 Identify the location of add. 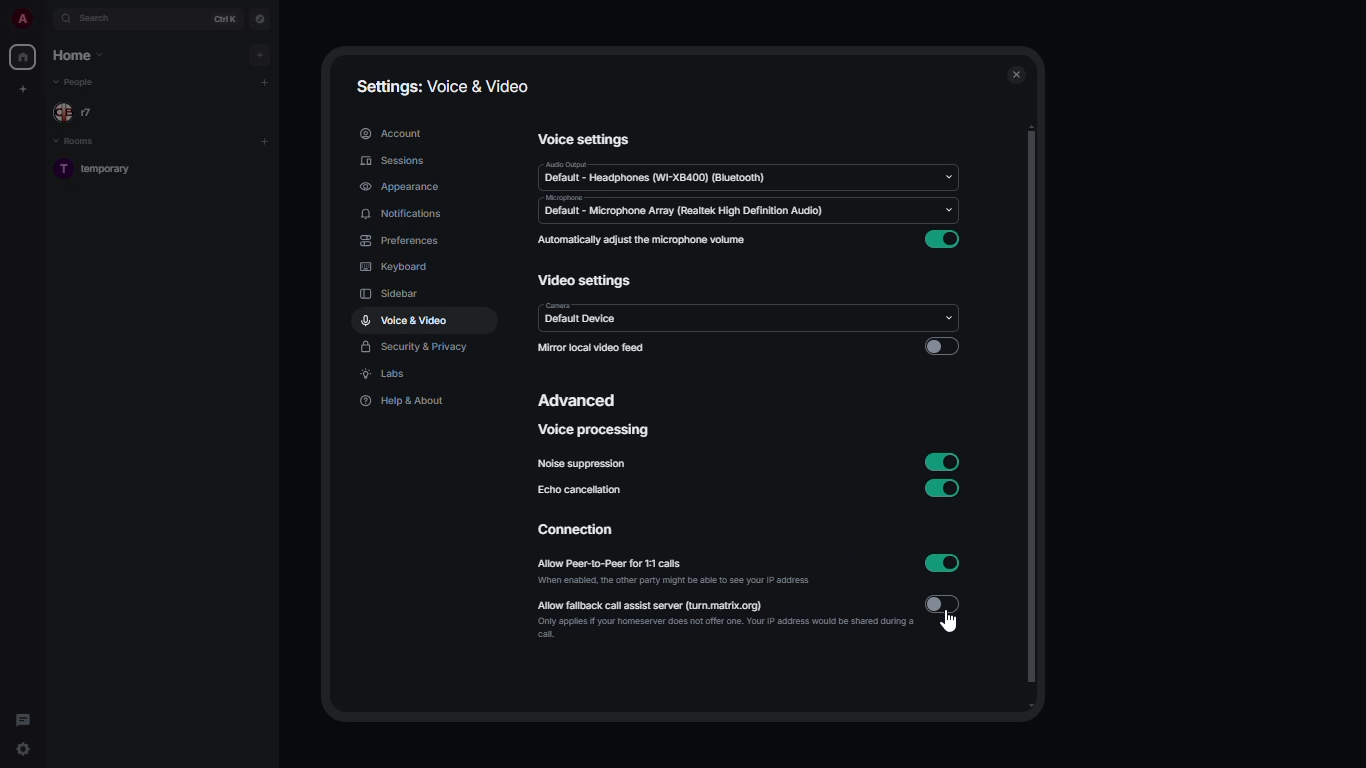
(265, 80).